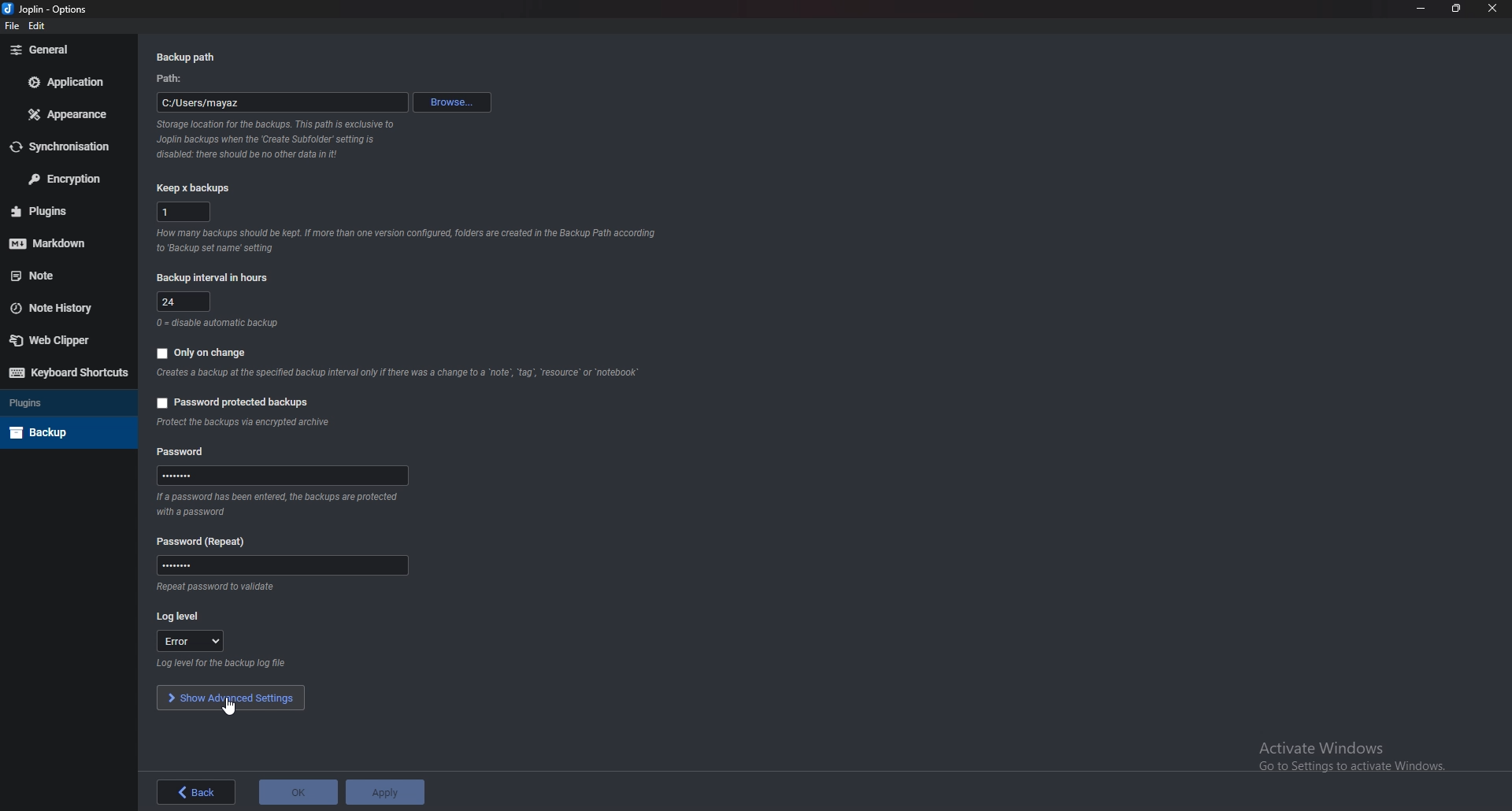 The image size is (1512, 811). What do you see at coordinates (406, 240) in the screenshot?
I see `info` at bounding box center [406, 240].